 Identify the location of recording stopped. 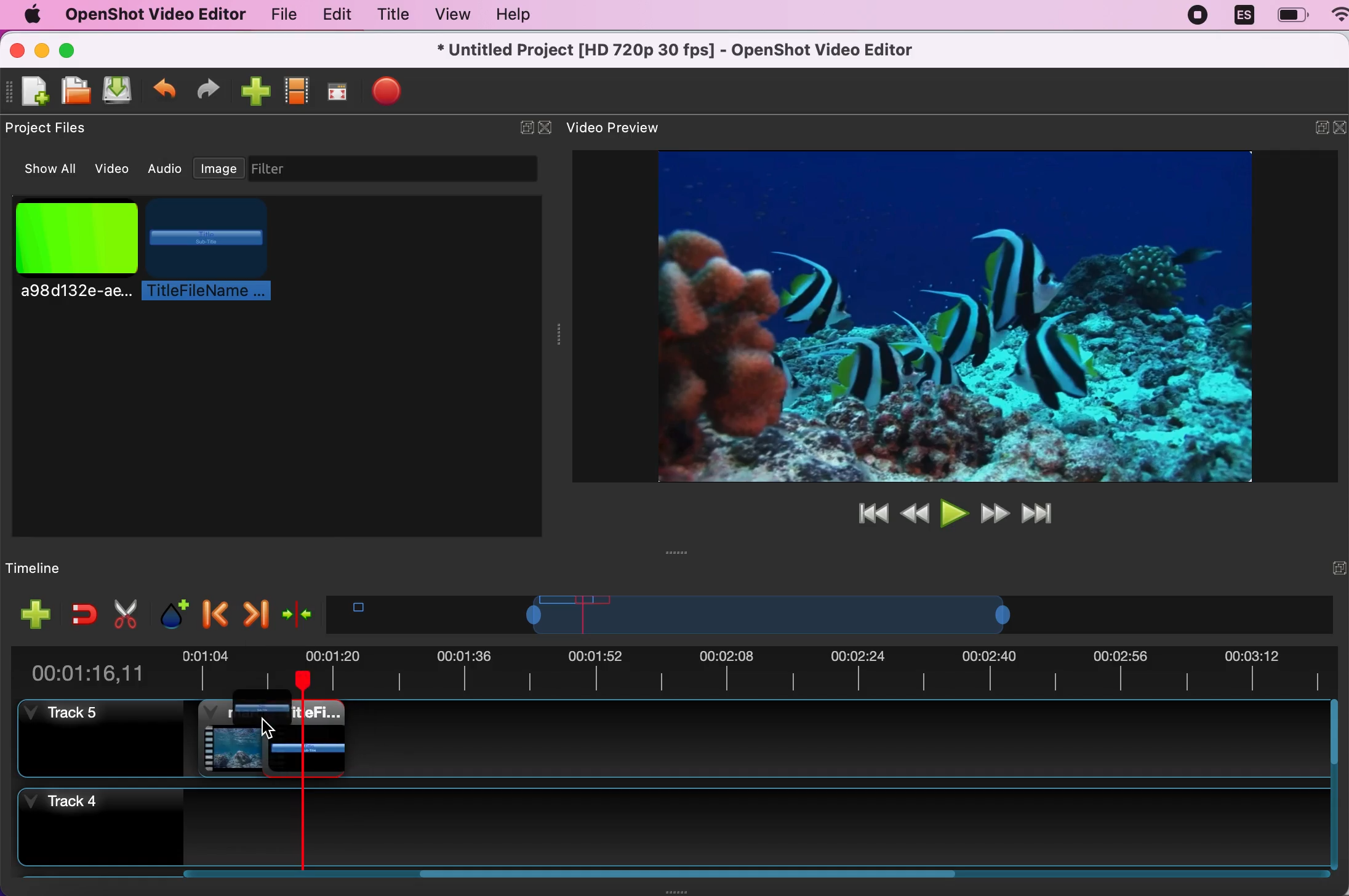
(1199, 18).